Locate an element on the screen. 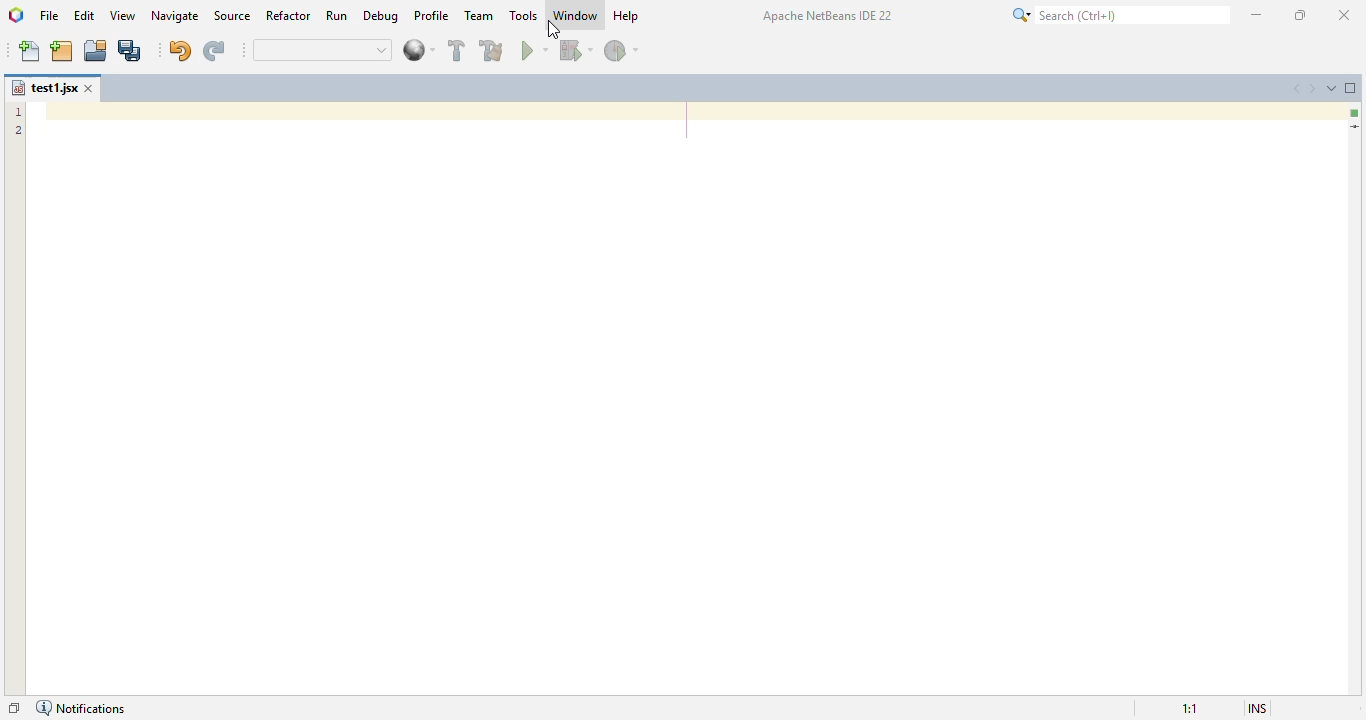 Image resolution: width=1366 pixels, height=720 pixels. restore window group is located at coordinates (14, 706).